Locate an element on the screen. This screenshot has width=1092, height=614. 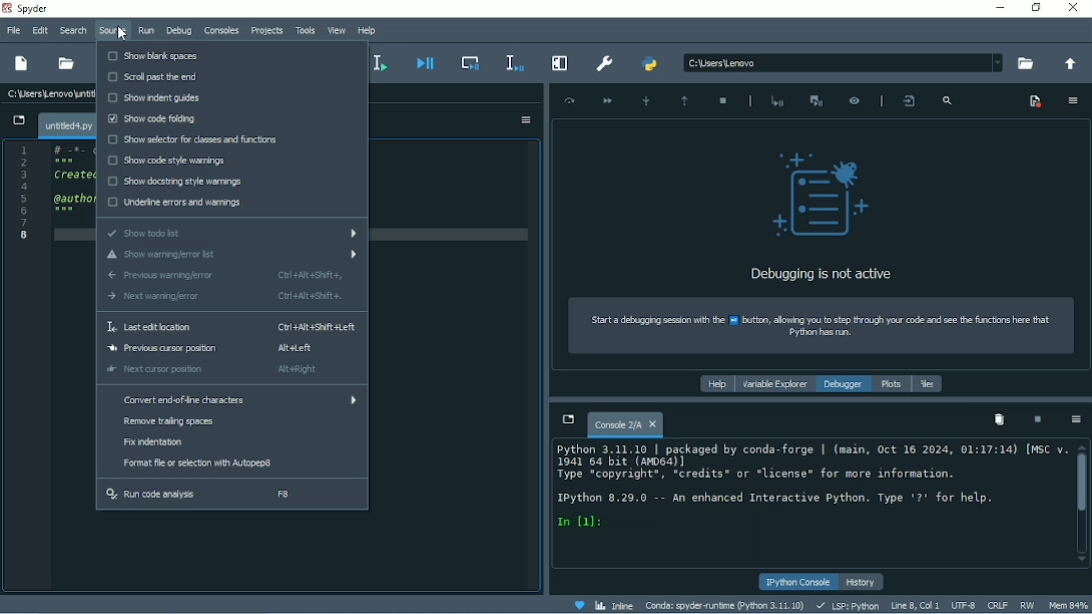
Debug cell is located at coordinates (472, 62).